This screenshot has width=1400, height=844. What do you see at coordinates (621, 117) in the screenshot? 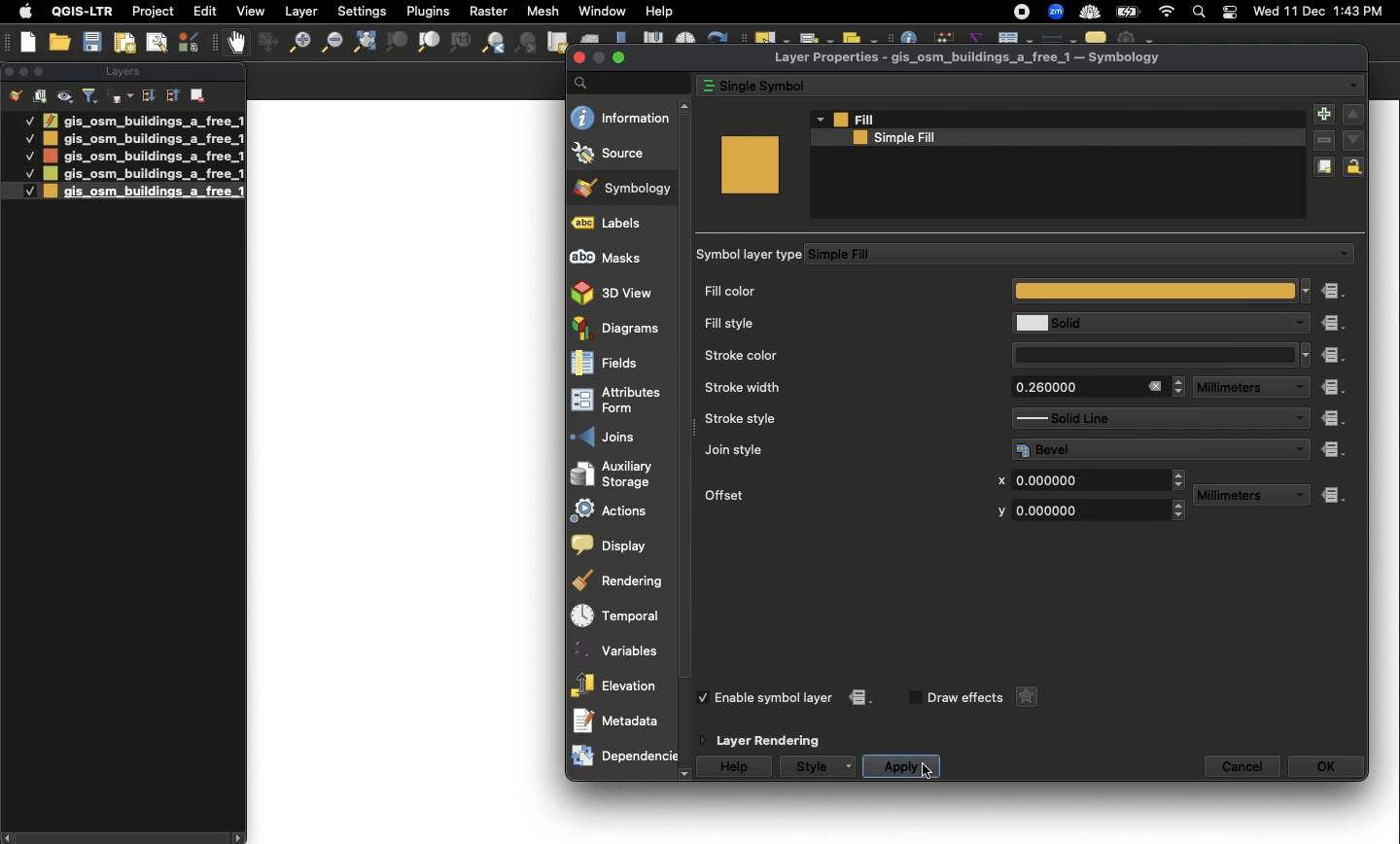
I see `Information` at bounding box center [621, 117].